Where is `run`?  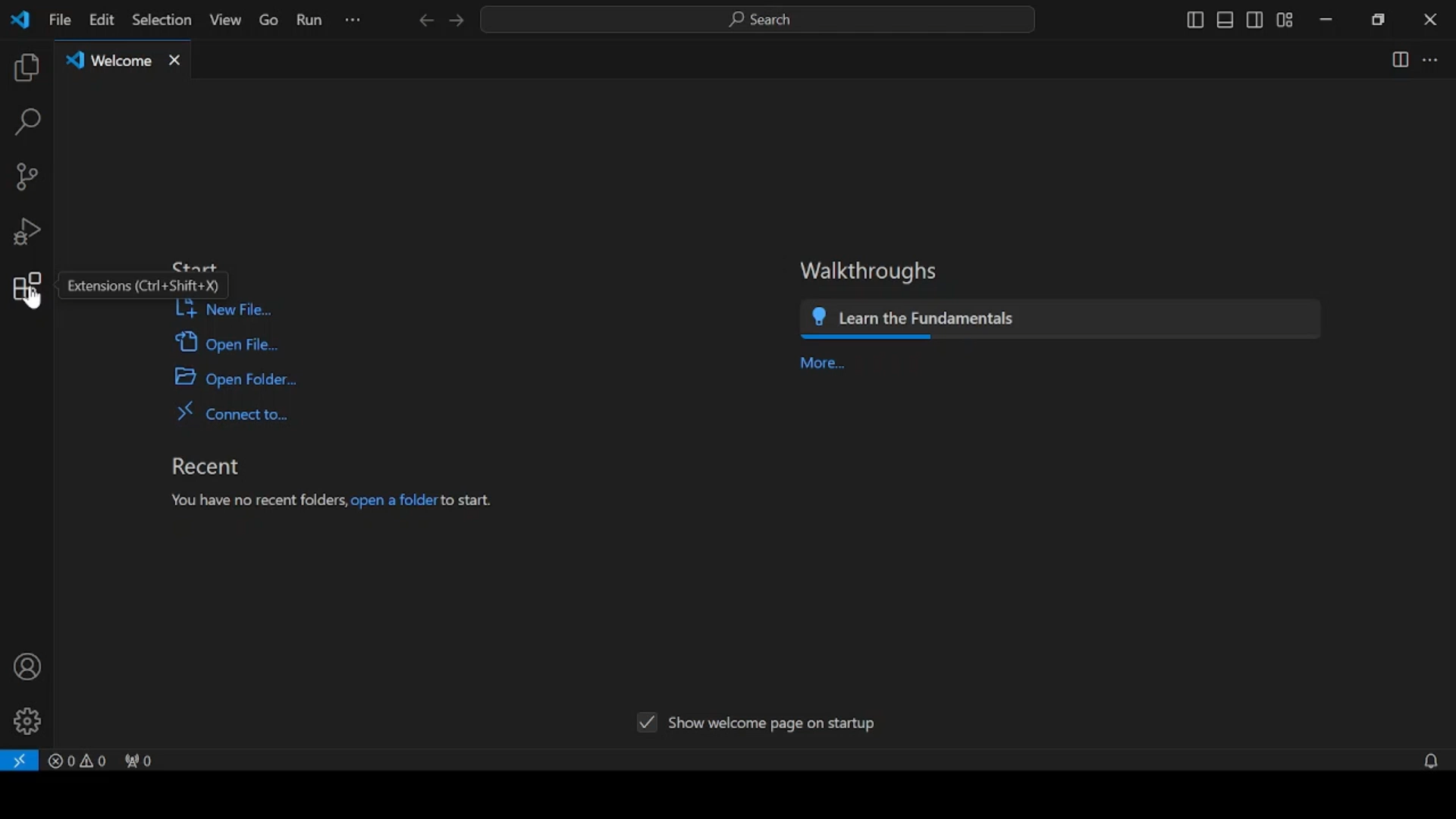 run is located at coordinates (309, 20).